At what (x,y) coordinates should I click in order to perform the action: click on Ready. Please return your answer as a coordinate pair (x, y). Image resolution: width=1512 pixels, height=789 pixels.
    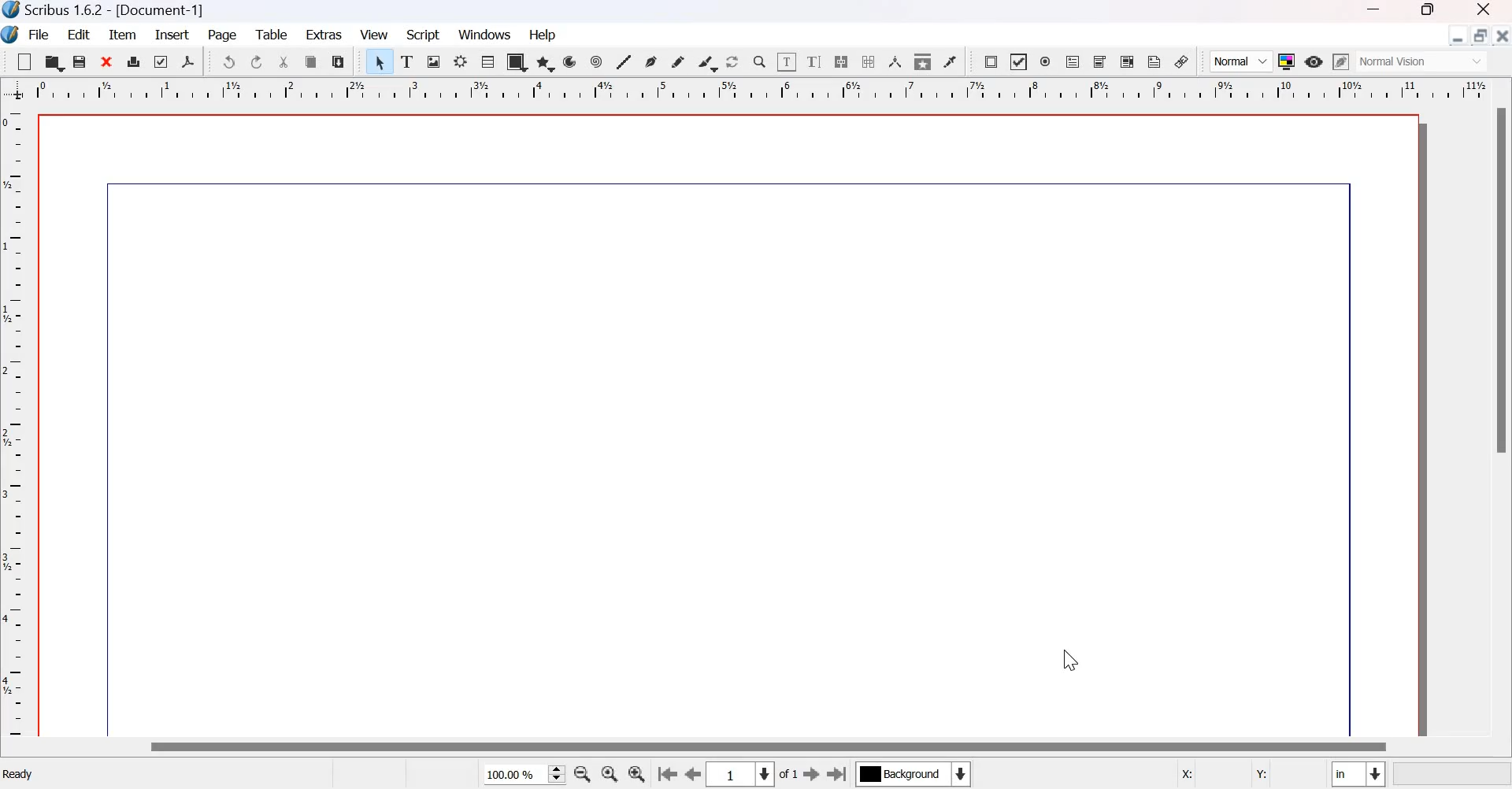
    Looking at the image, I should click on (20, 774).